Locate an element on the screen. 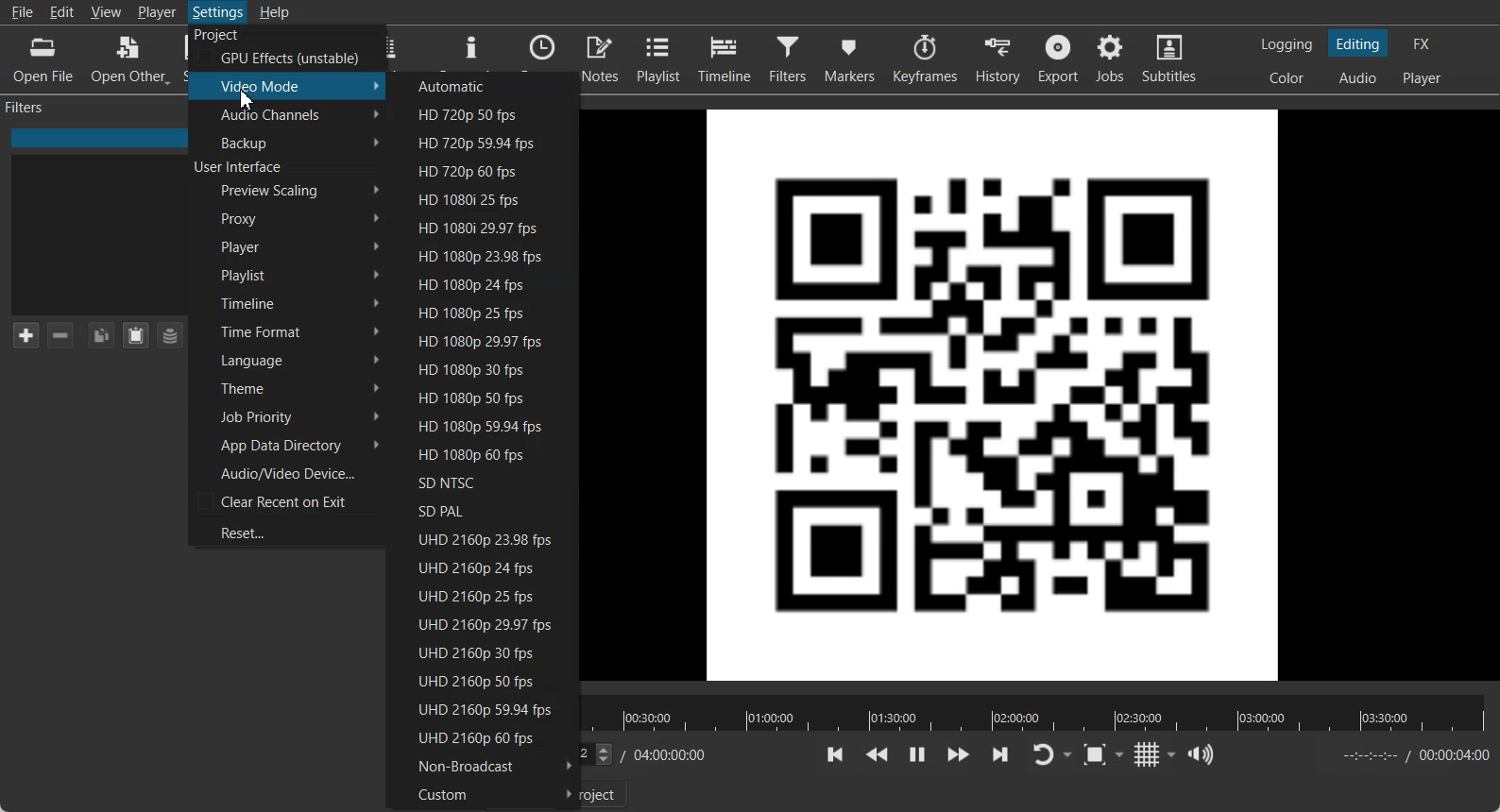 The height and width of the screenshot is (812, 1500). Switch to the Player only layout is located at coordinates (1423, 79).